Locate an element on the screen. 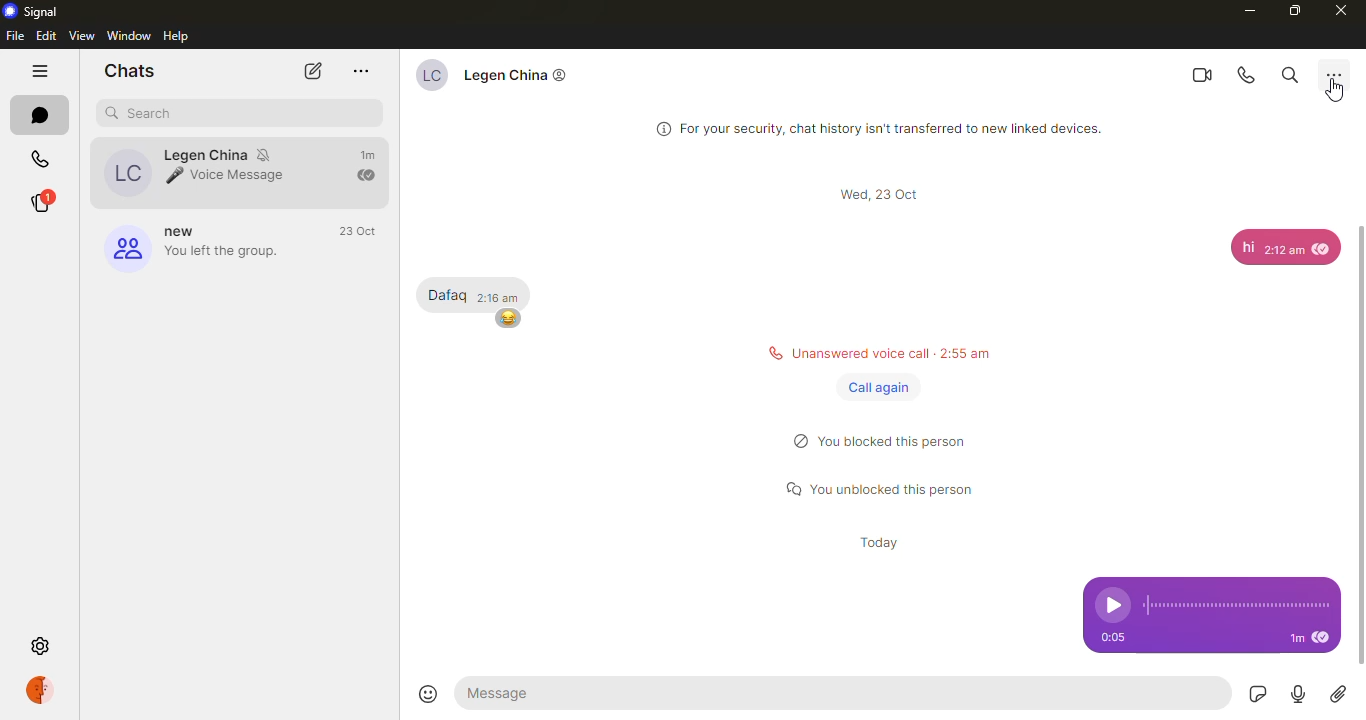  group is located at coordinates (197, 245).